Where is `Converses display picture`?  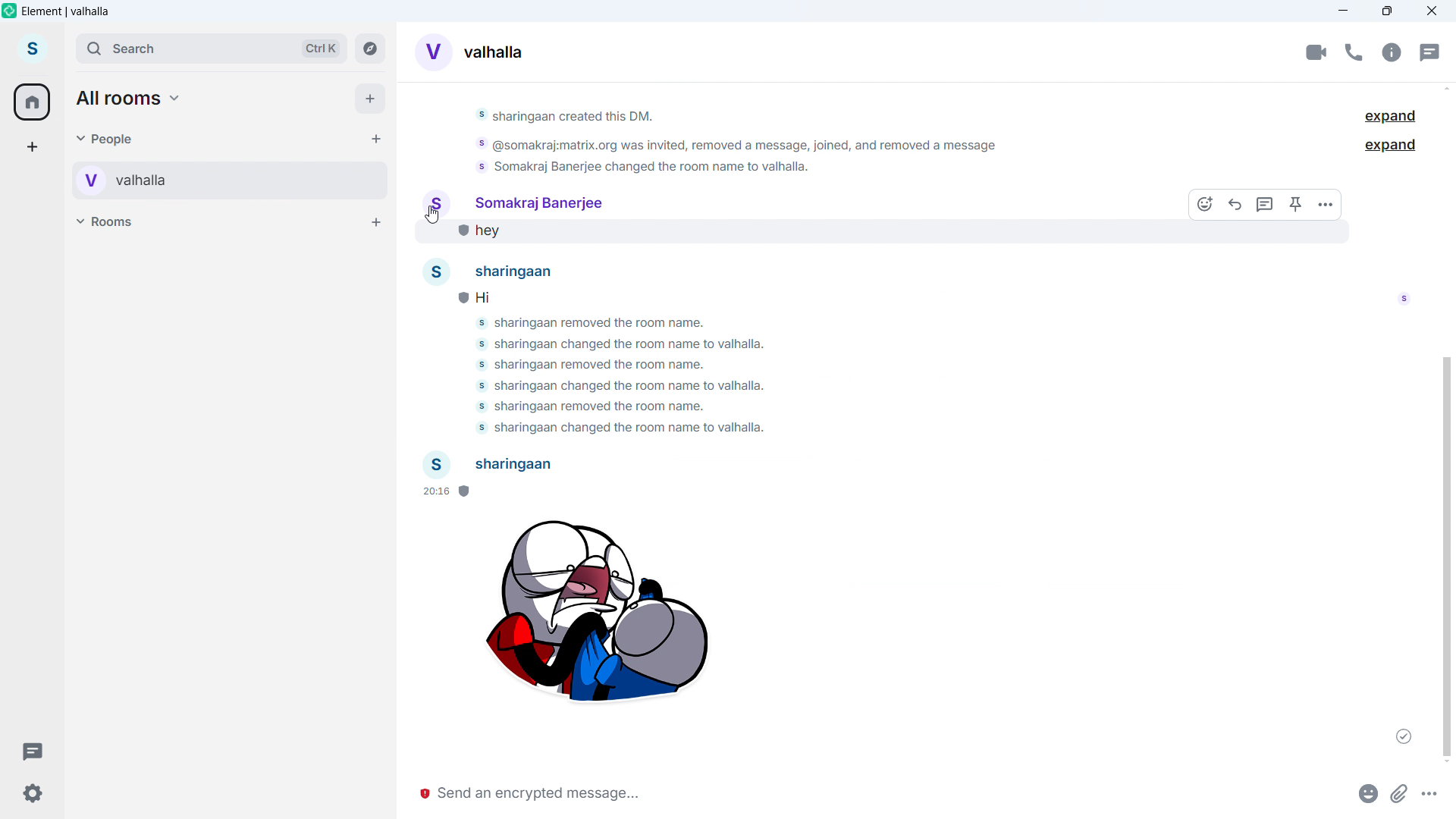
Converses display picture is located at coordinates (432, 50).